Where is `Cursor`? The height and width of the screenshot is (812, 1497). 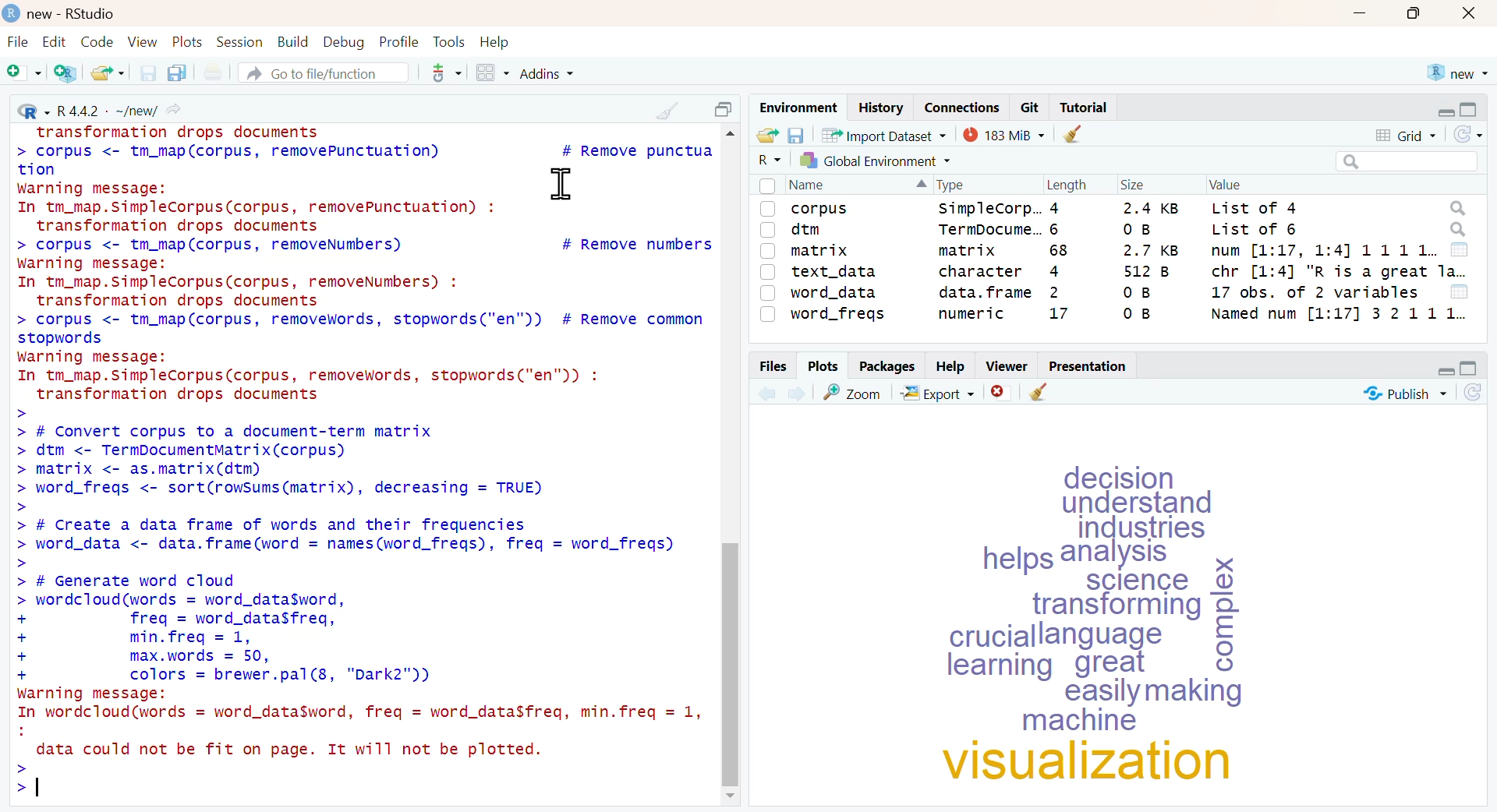
Cursor is located at coordinates (561, 183).